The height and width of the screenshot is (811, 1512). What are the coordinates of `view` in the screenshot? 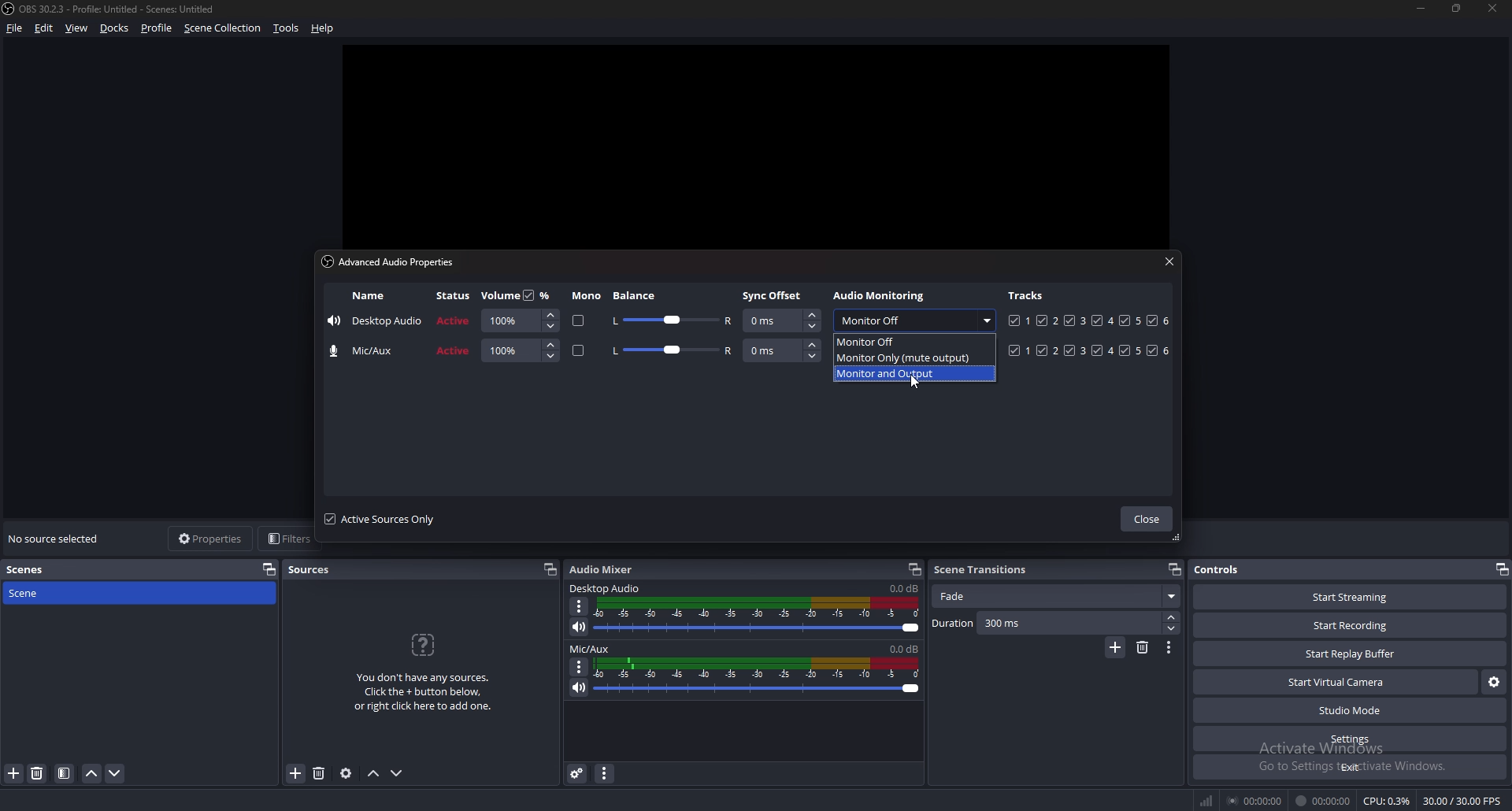 It's located at (78, 28).